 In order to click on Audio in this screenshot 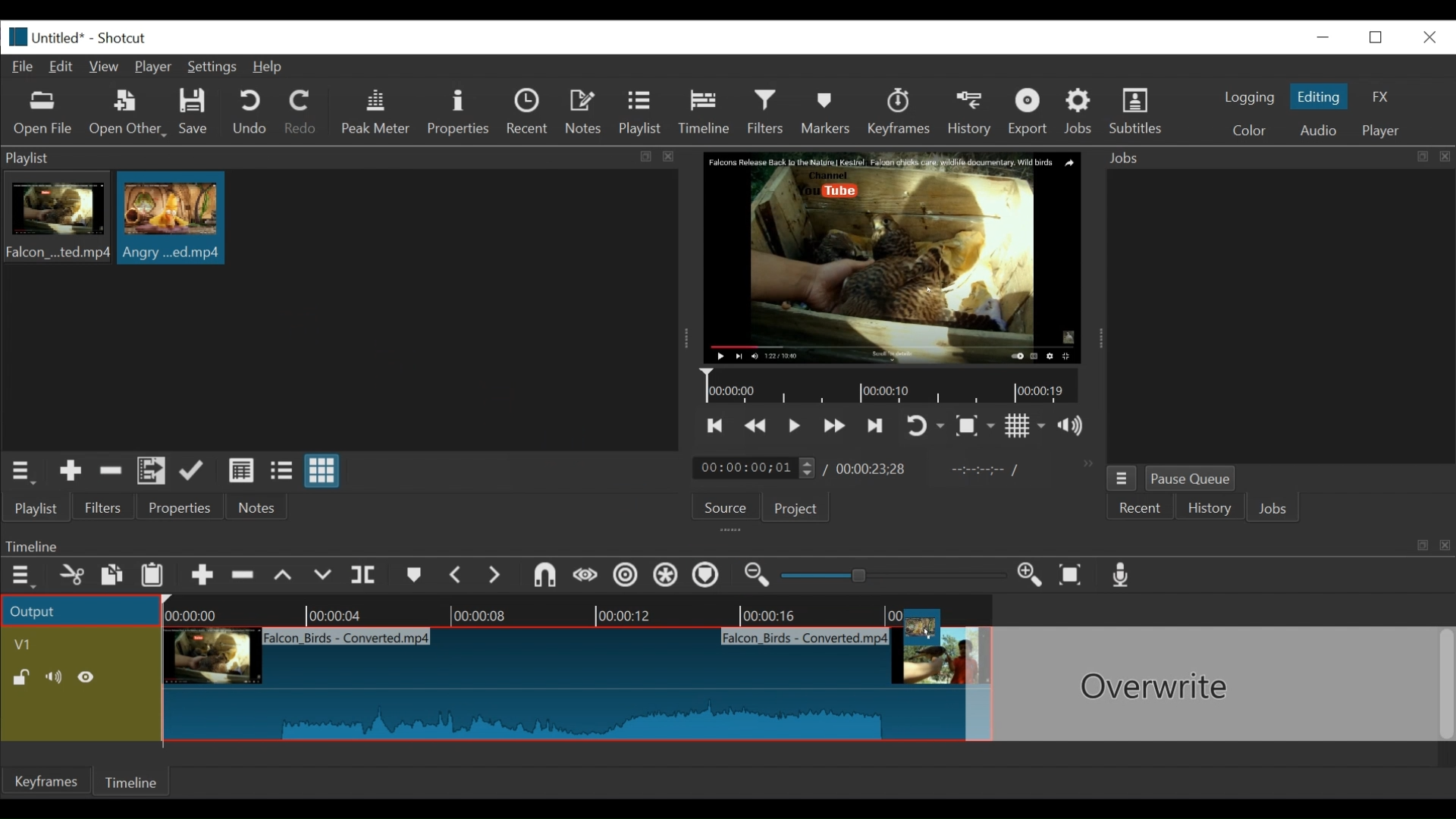, I will do `click(1317, 130)`.